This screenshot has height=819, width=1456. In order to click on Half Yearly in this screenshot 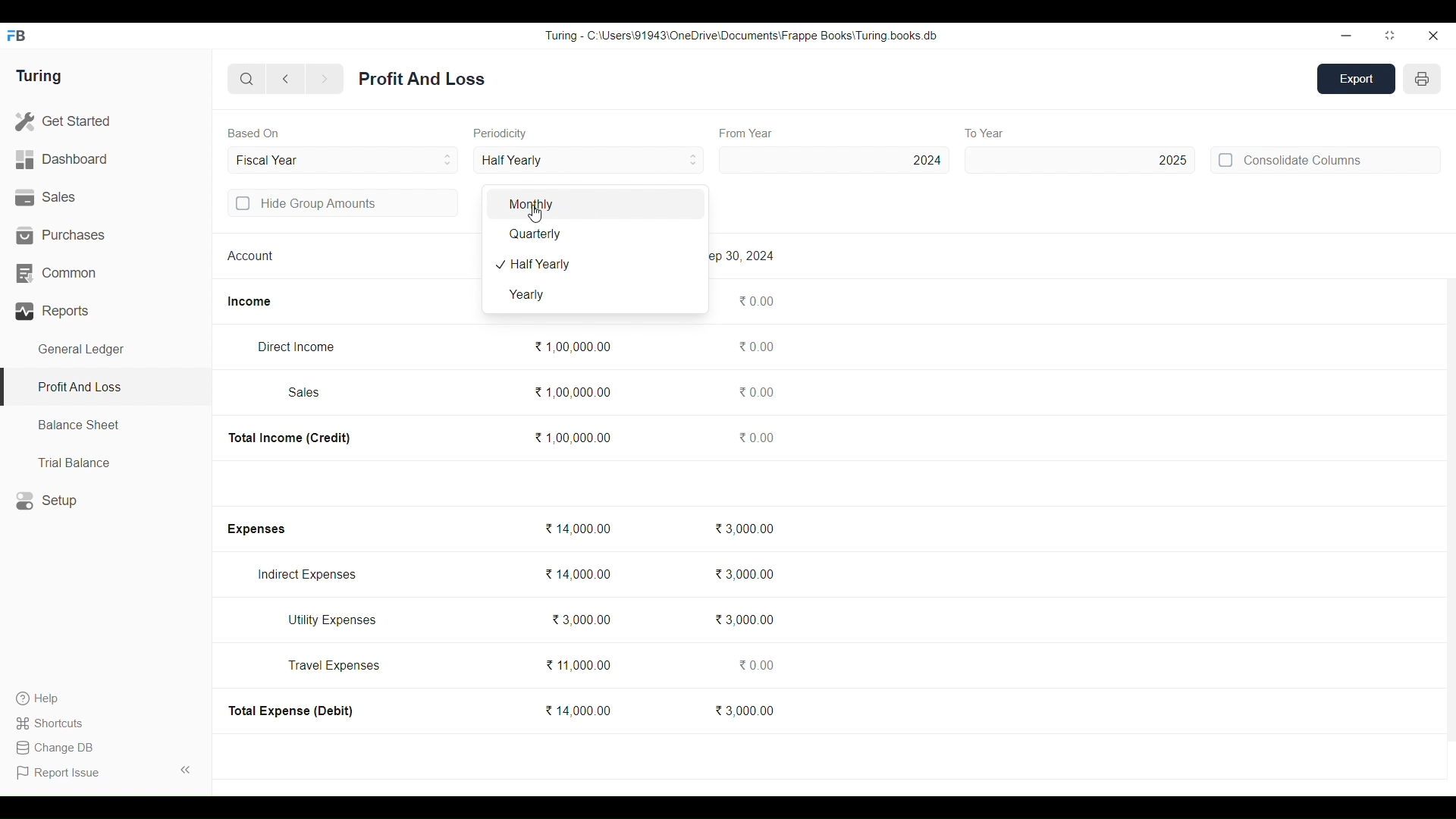, I will do `click(596, 265)`.